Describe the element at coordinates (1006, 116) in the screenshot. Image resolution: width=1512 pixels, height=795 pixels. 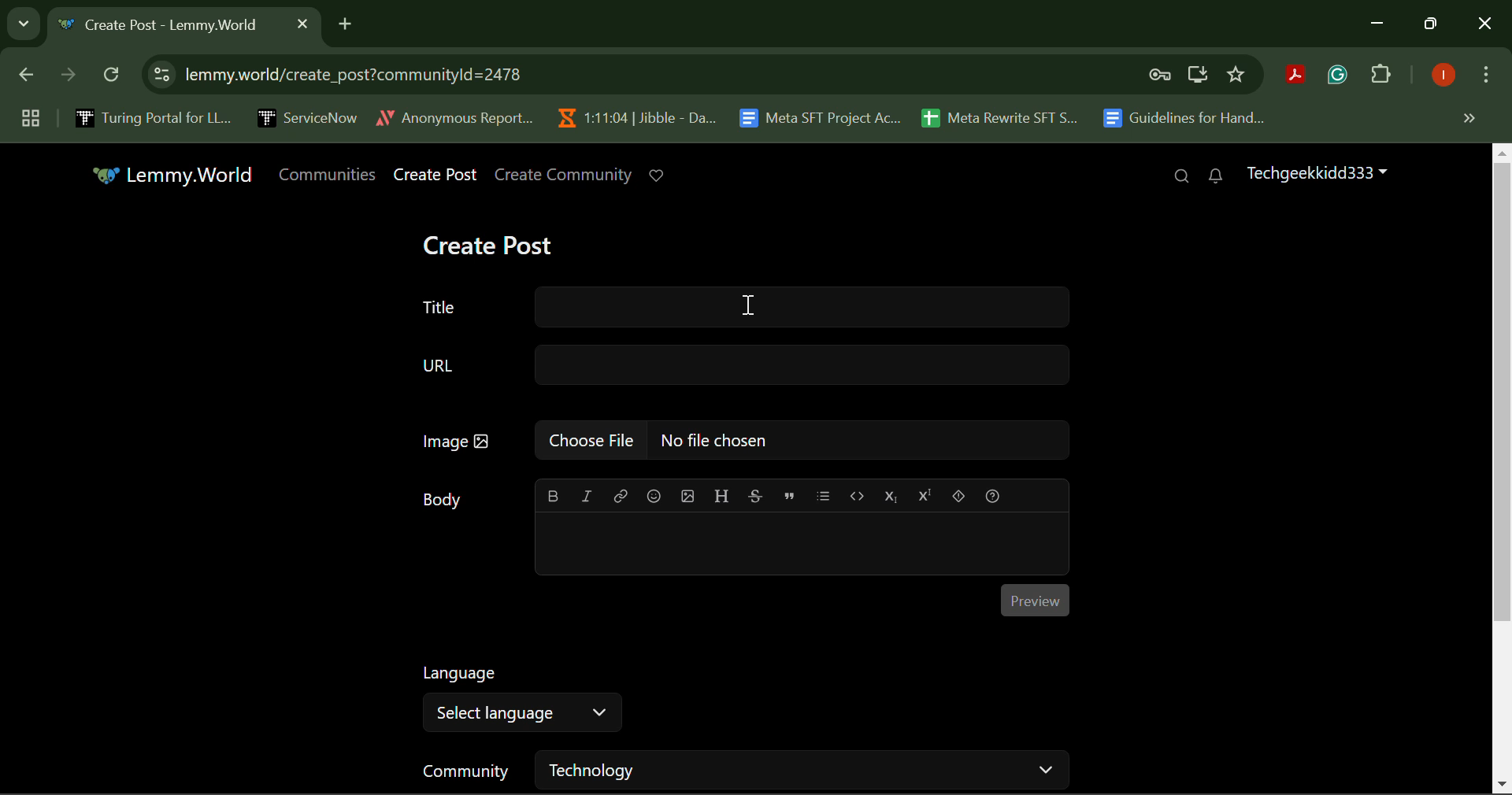
I see `Meta Rewrite SFT` at that location.